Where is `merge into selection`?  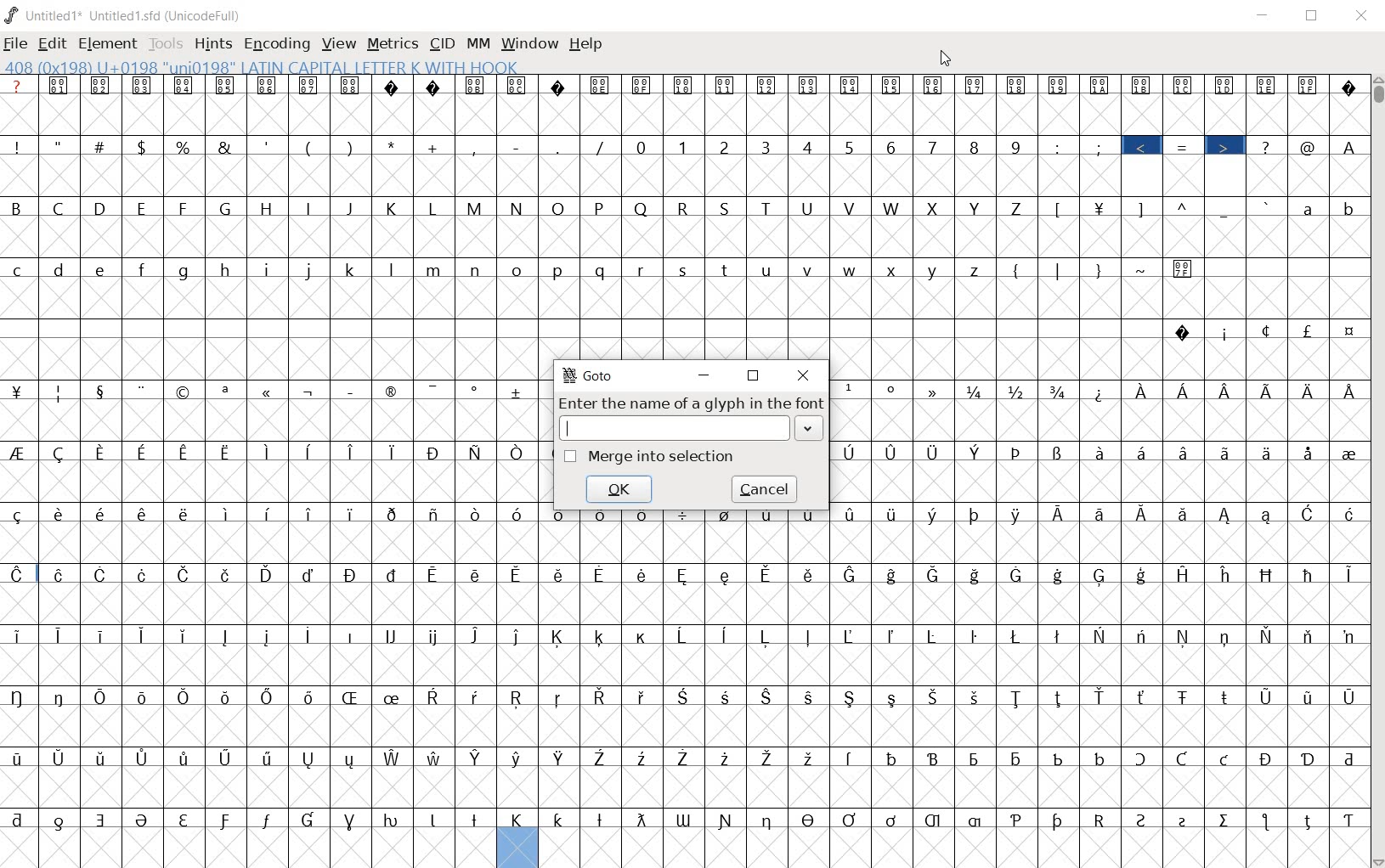
merge into selection is located at coordinates (650, 457).